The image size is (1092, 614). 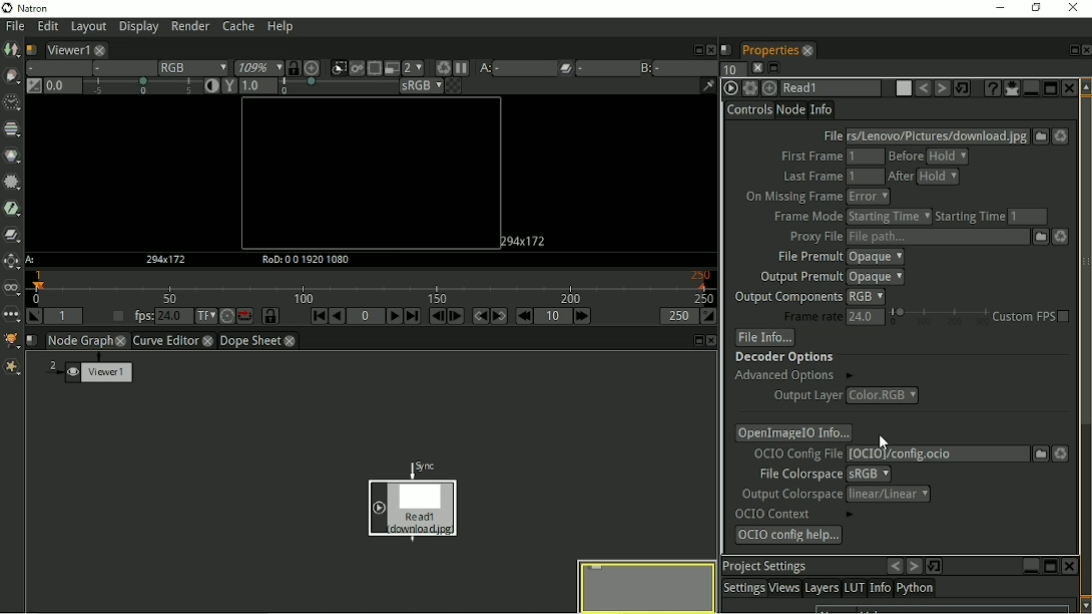 What do you see at coordinates (118, 88) in the screenshot?
I see `Gain` at bounding box center [118, 88].